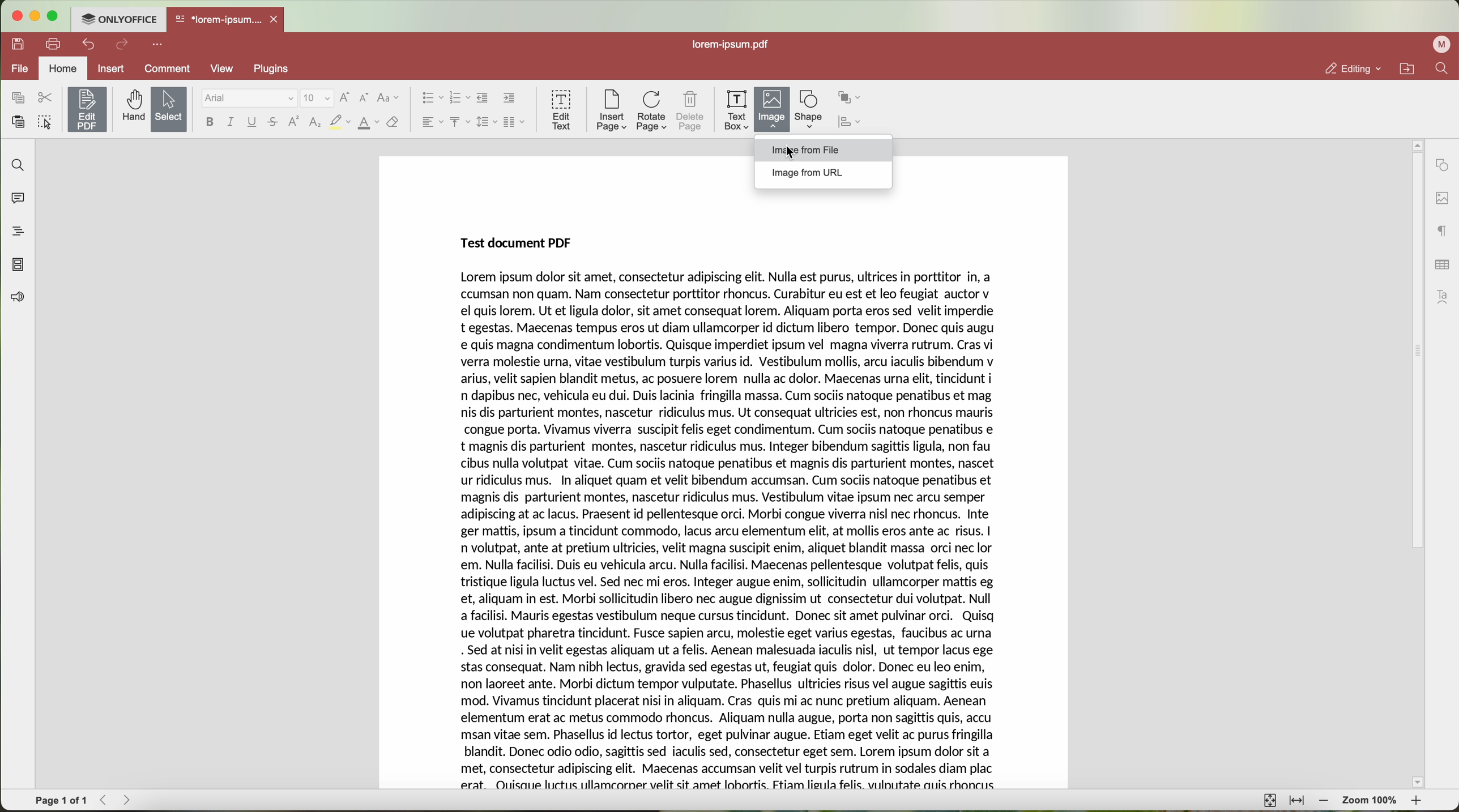  Describe the element at coordinates (562, 109) in the screenshot. I see `edit text` at that location.